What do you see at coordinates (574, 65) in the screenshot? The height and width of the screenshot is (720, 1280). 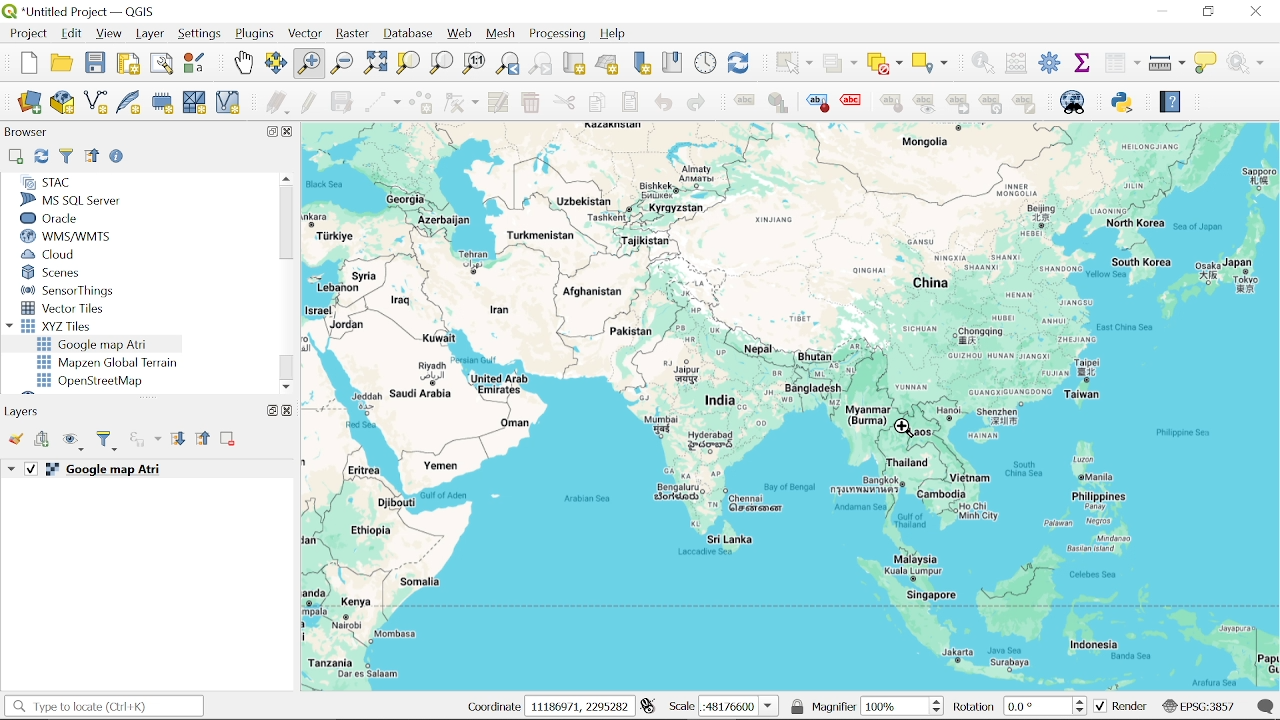 I see `New map view` at bounding box center [574, 65].